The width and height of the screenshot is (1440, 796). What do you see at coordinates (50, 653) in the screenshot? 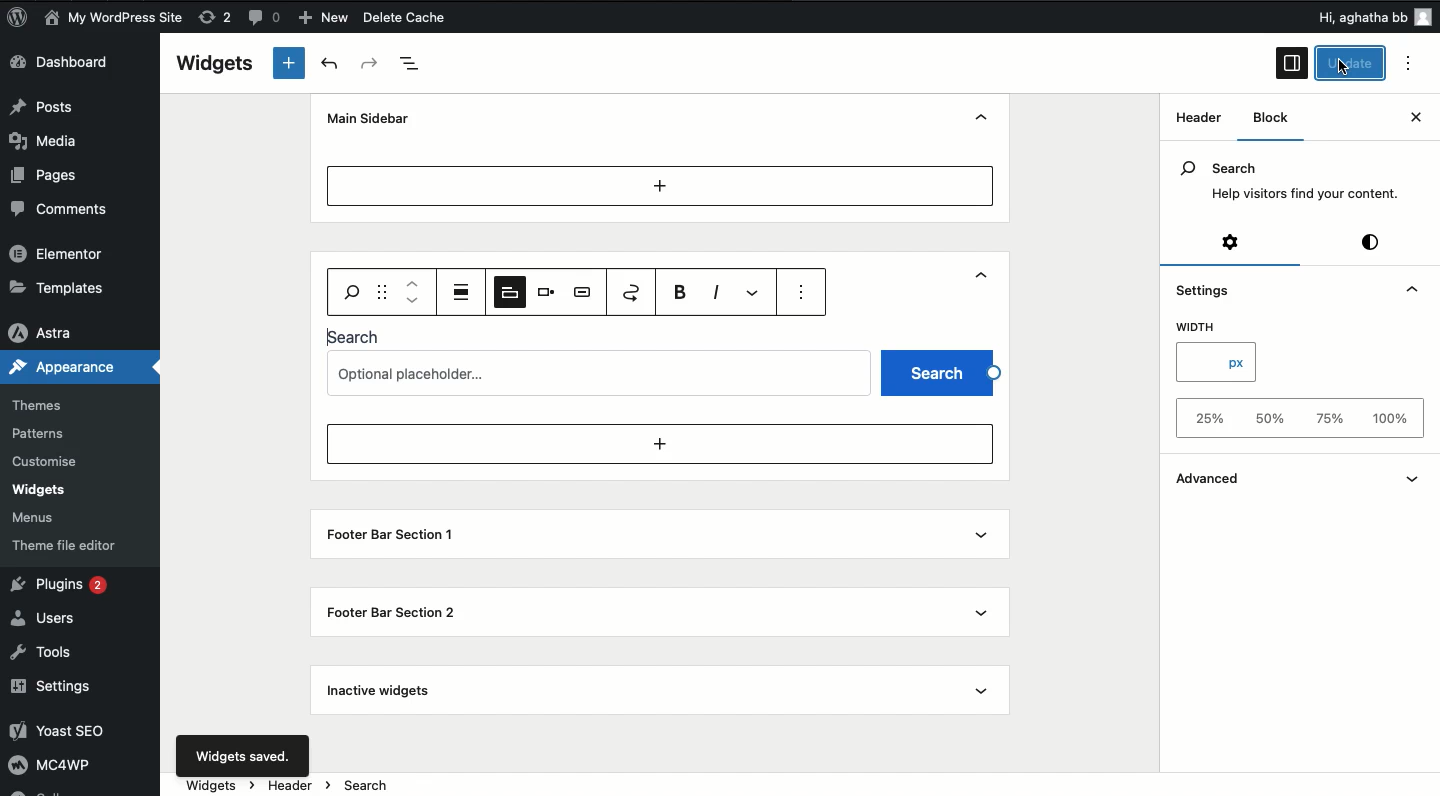
I see `Tools` at bounding box center [50, 653].